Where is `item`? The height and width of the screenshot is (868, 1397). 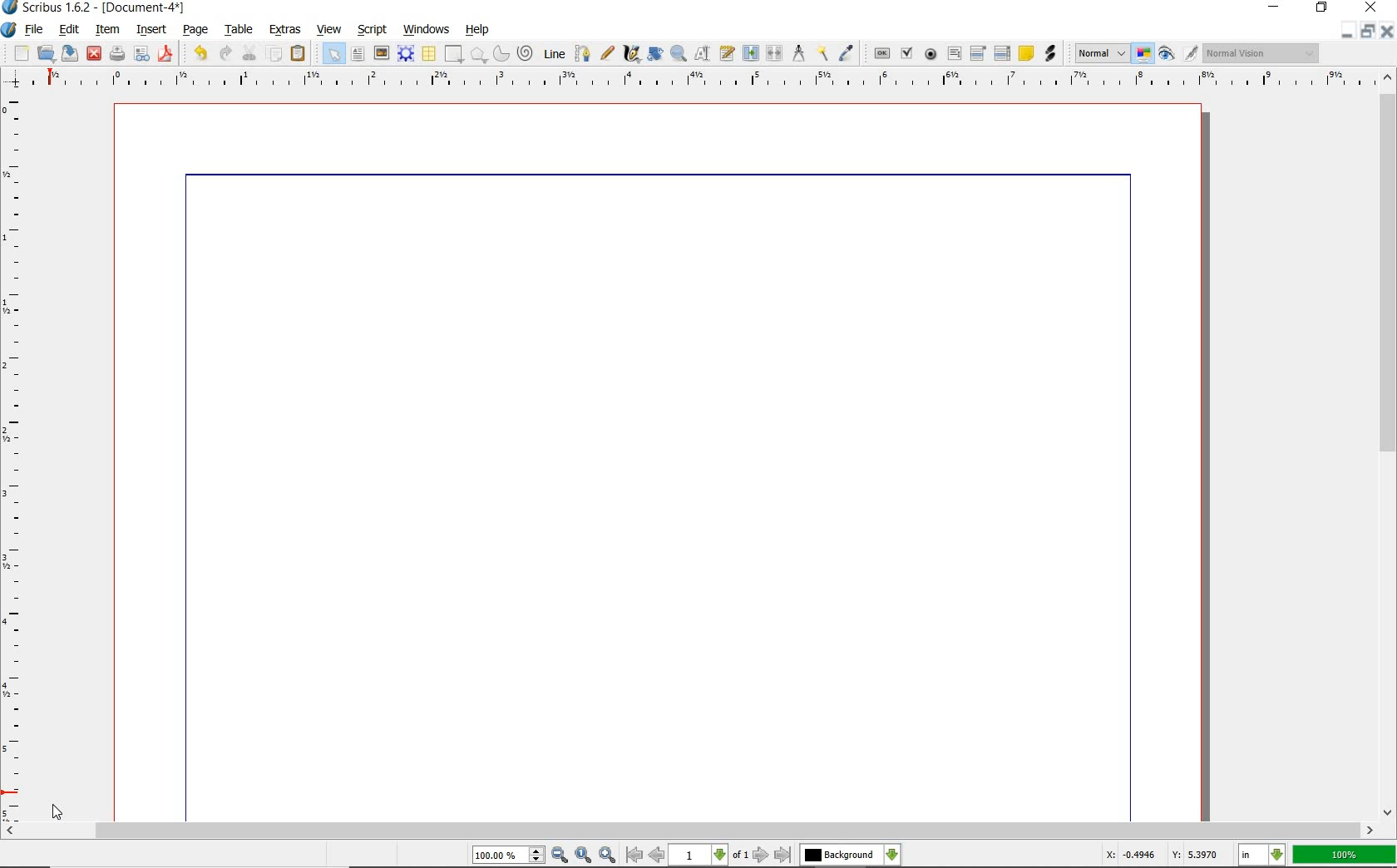
item is located at coordinates (108, 31).